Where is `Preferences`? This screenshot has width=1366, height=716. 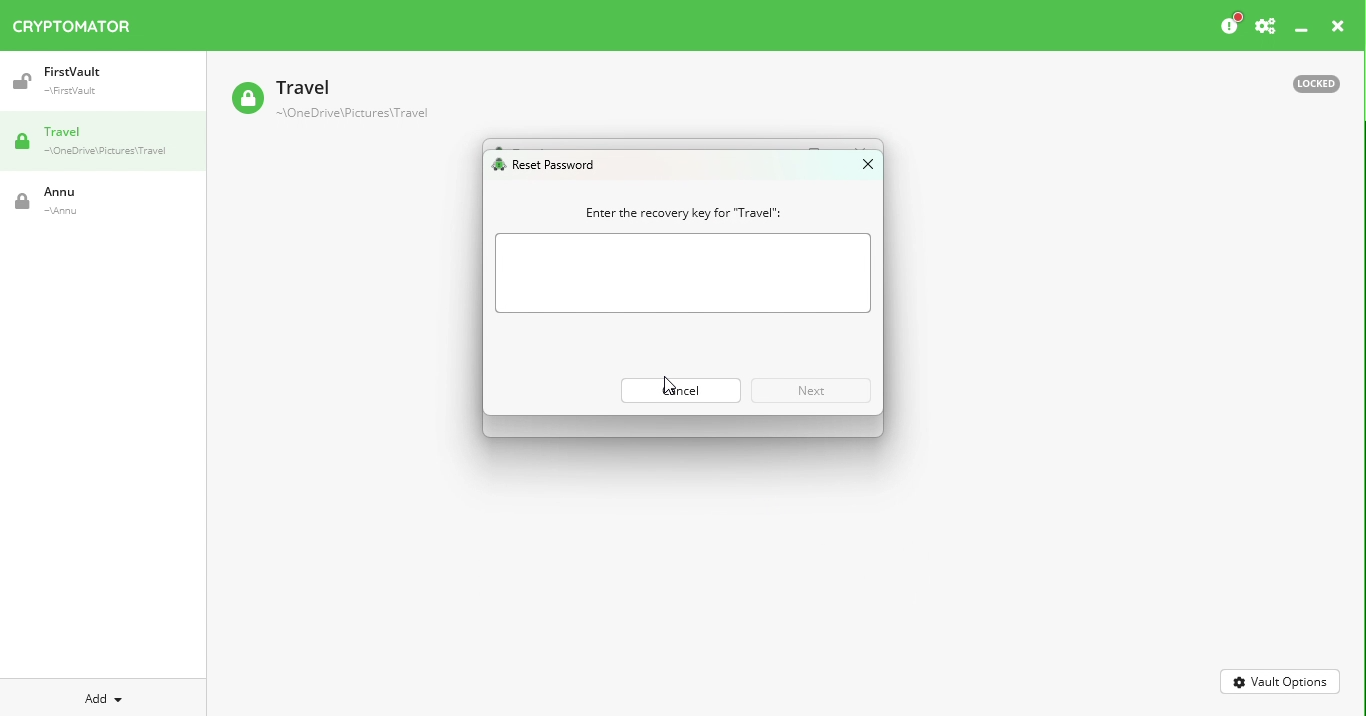
Preferences is located at coordinates (1265, 27).